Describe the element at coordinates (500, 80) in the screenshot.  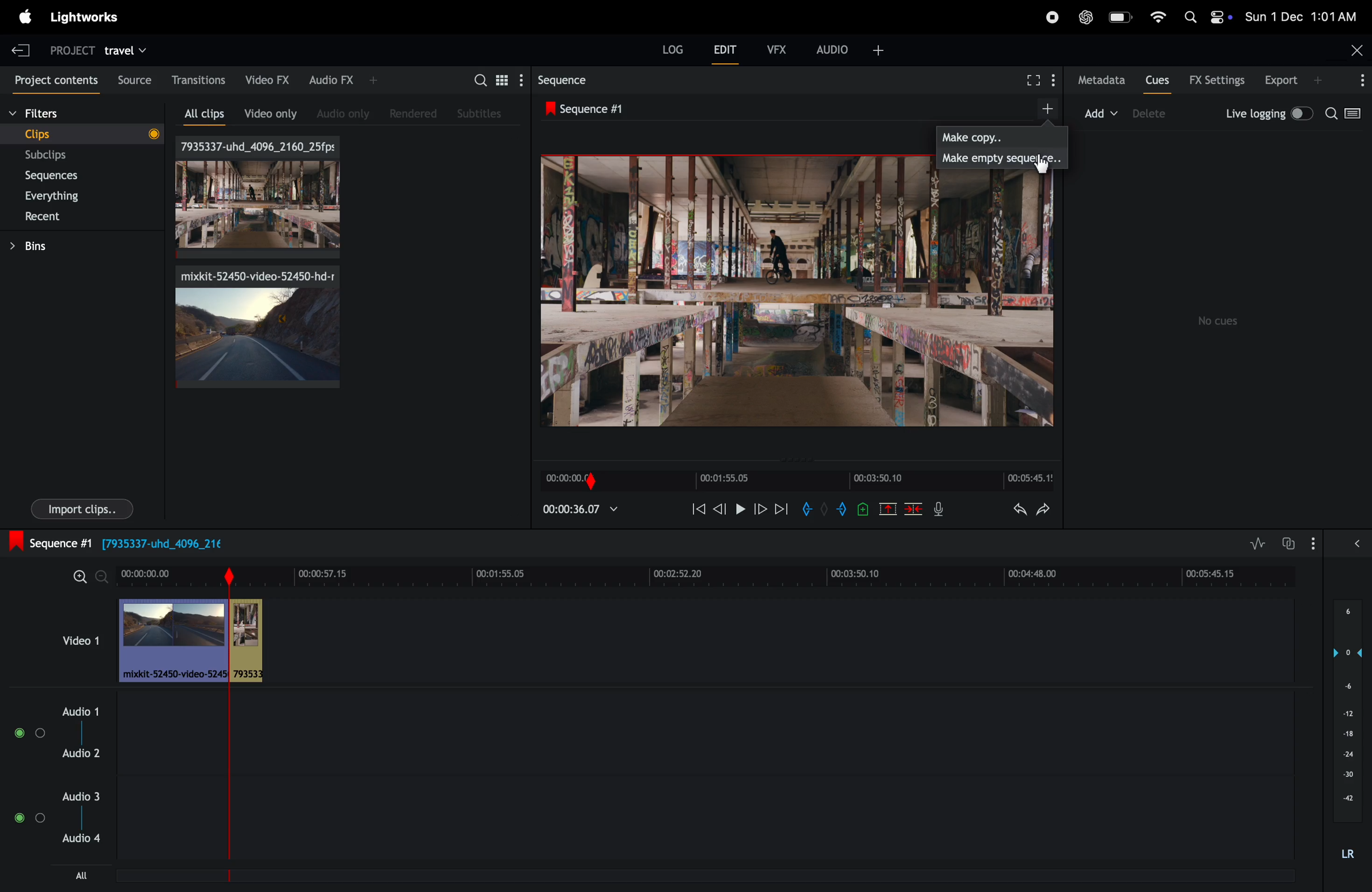
I see `toggle between list view` at that location.